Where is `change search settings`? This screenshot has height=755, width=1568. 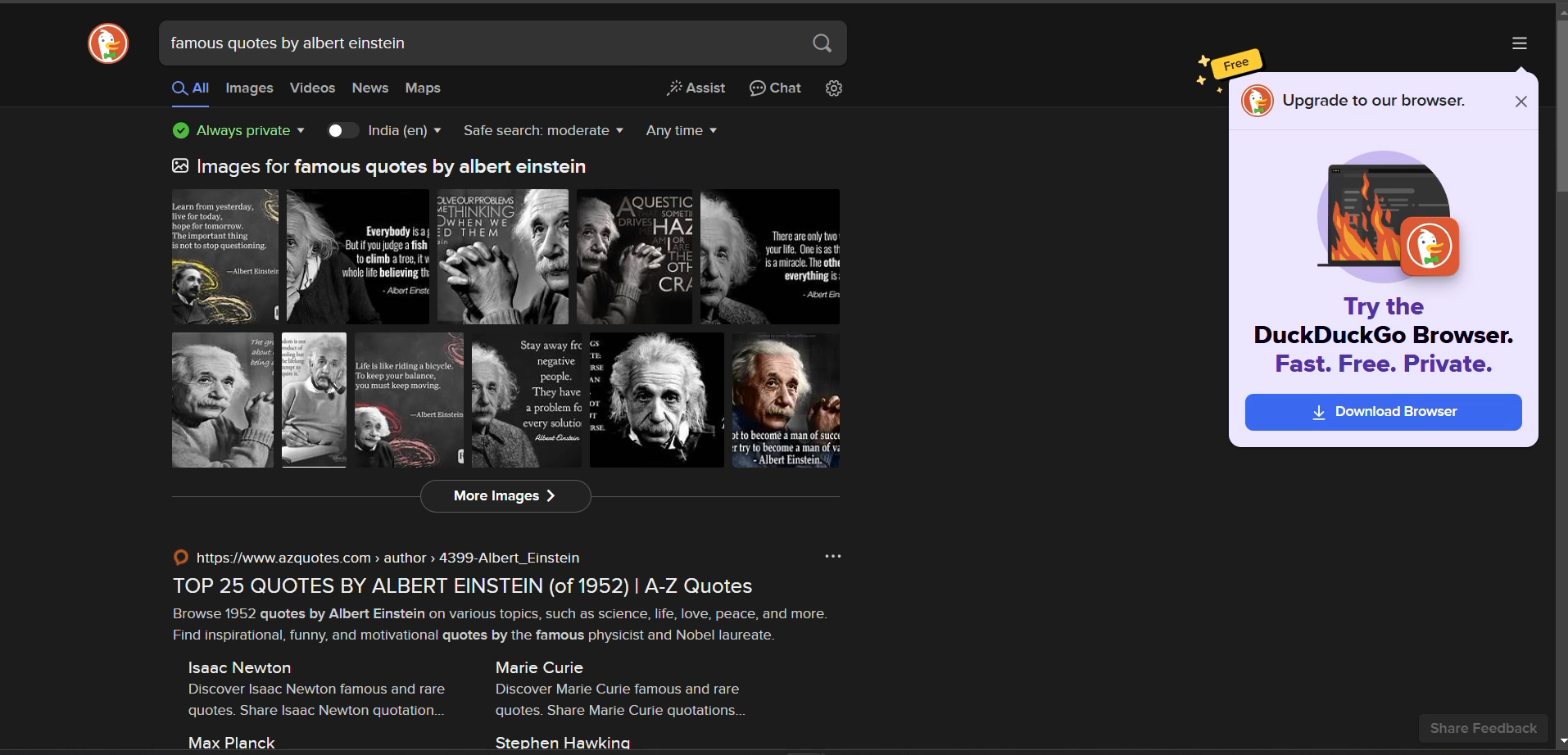 change search settings is located at coordinates (836, 92).